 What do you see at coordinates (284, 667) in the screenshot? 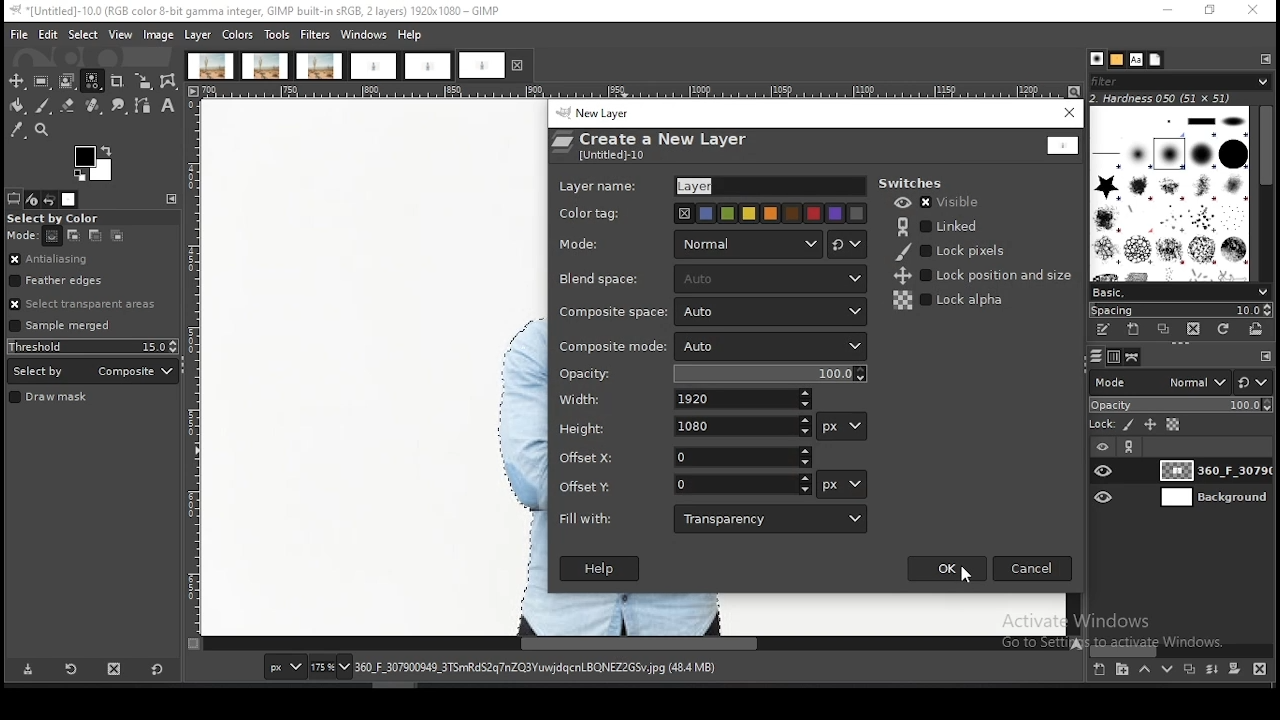
I see `units` at bounding box center [284, 667].